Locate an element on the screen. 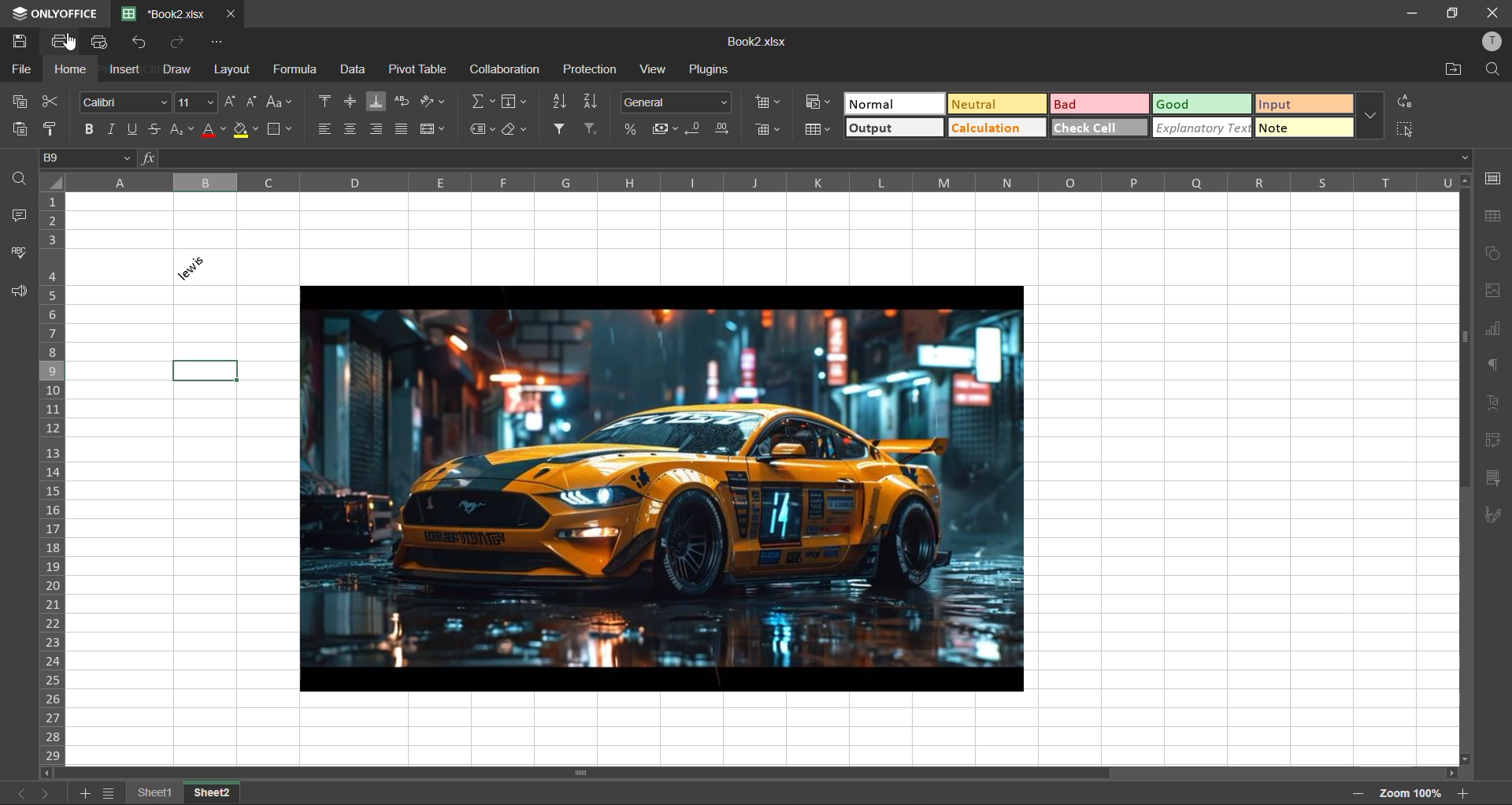  justified is located at coordinates (401, 129).